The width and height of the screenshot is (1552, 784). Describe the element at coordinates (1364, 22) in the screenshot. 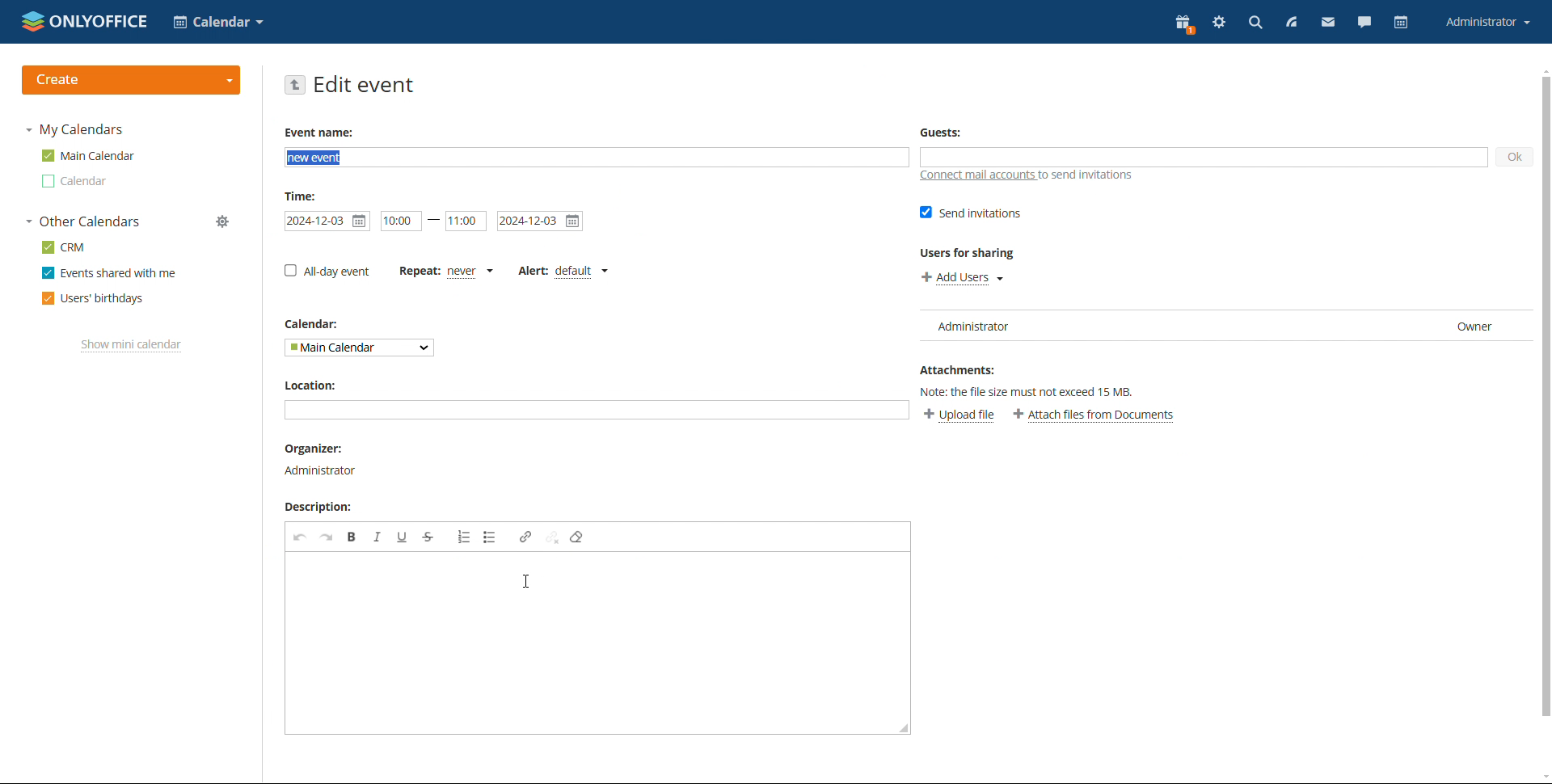

I see `chat` at that location.